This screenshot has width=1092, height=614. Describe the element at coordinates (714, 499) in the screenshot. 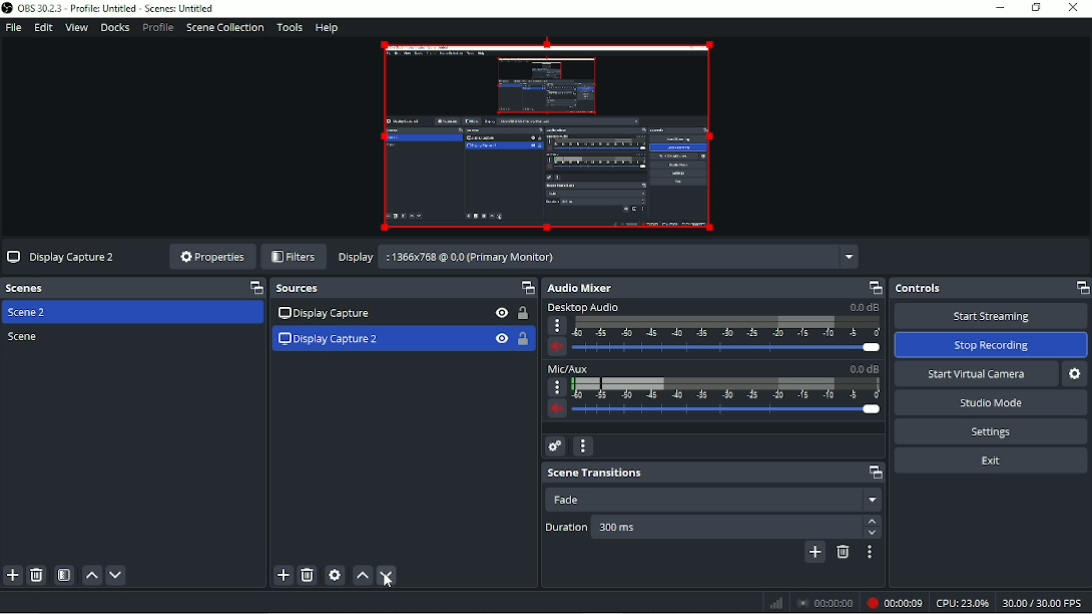

I see `Fade` at that location.